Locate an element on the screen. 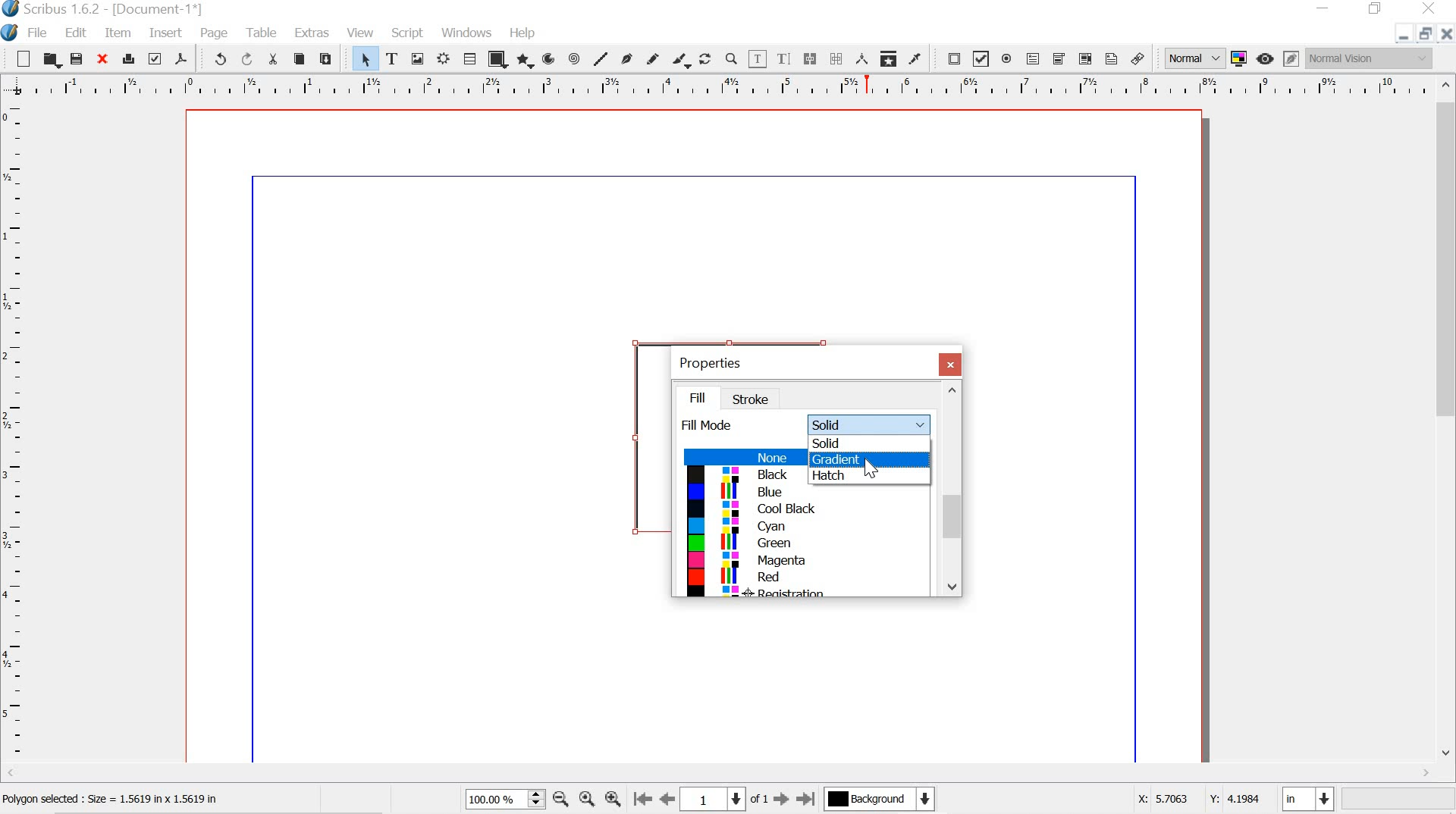 Image resolution: width=1456 pixels, height=814 pixels. image frame is located at coordinates (418, 58).